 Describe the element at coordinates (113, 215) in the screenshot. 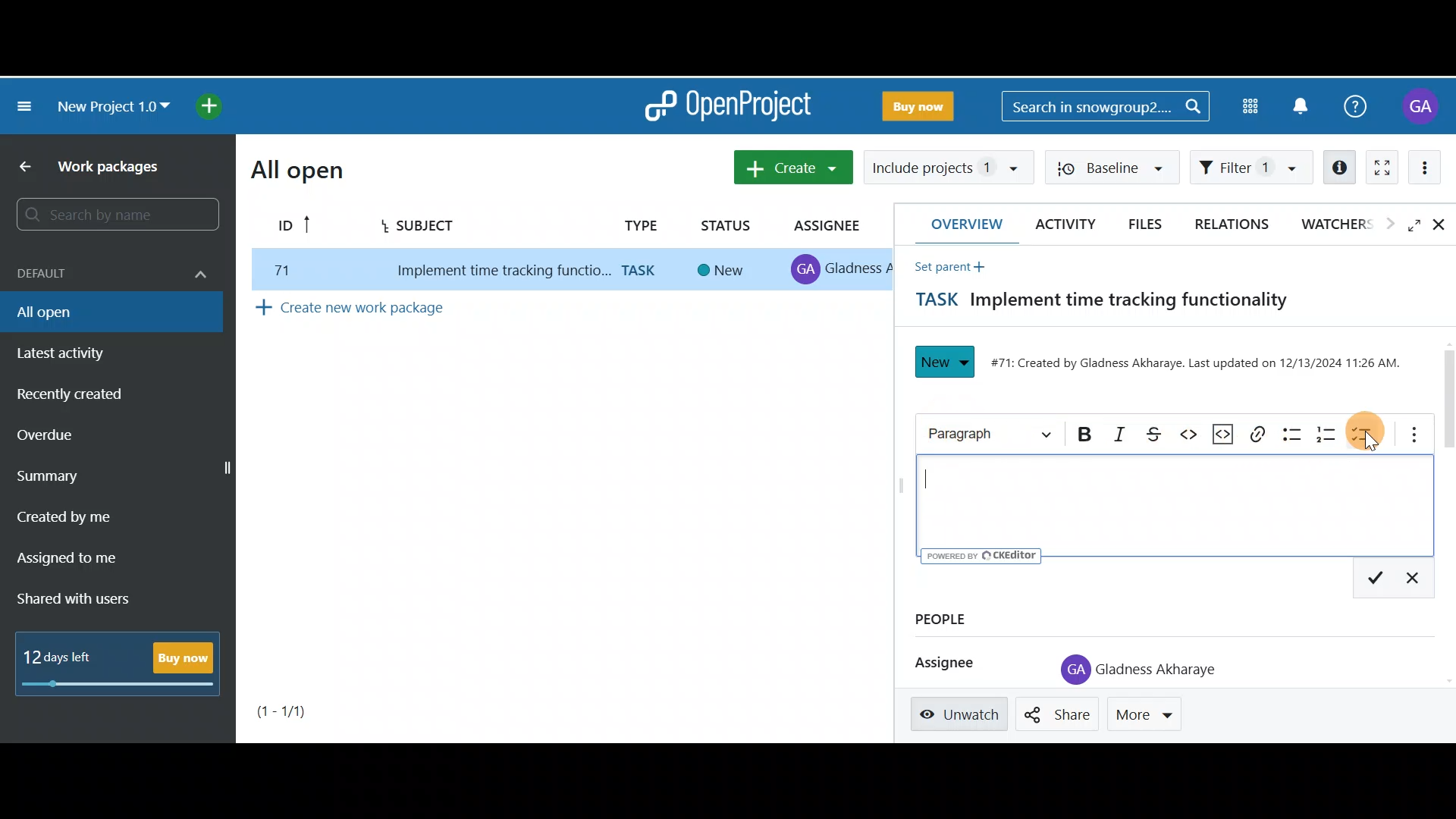

I see `Search bar` at that location.